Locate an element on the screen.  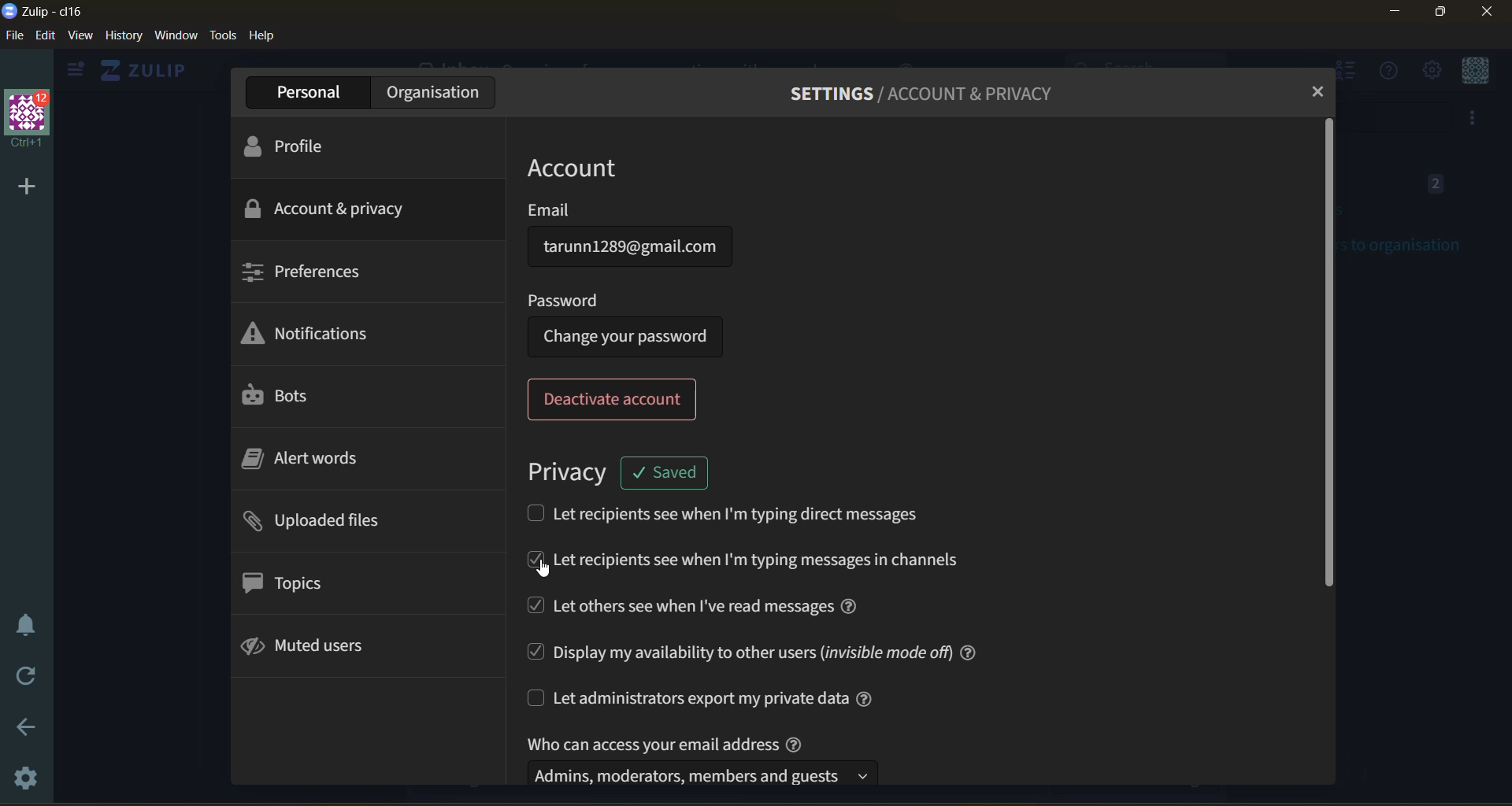
close is located at coordinates (1490, 12).